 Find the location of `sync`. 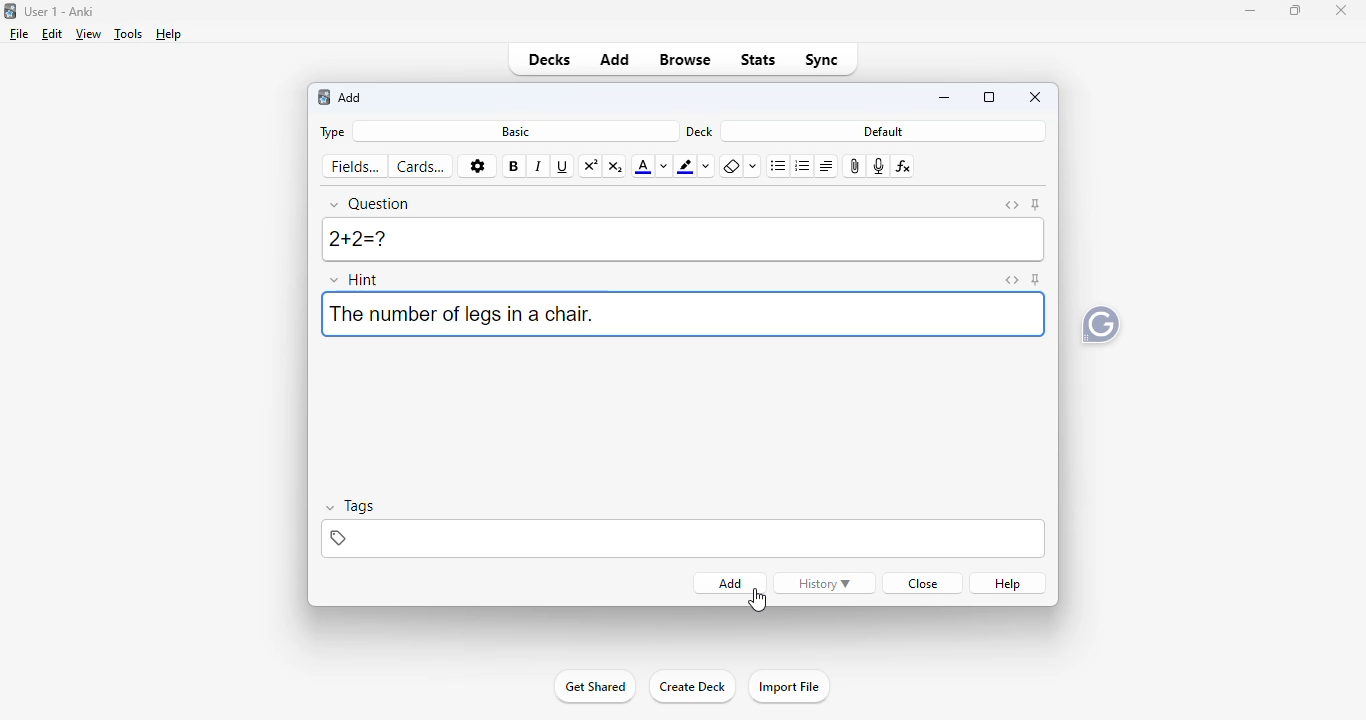

sync is located at coordinates (820, 60).